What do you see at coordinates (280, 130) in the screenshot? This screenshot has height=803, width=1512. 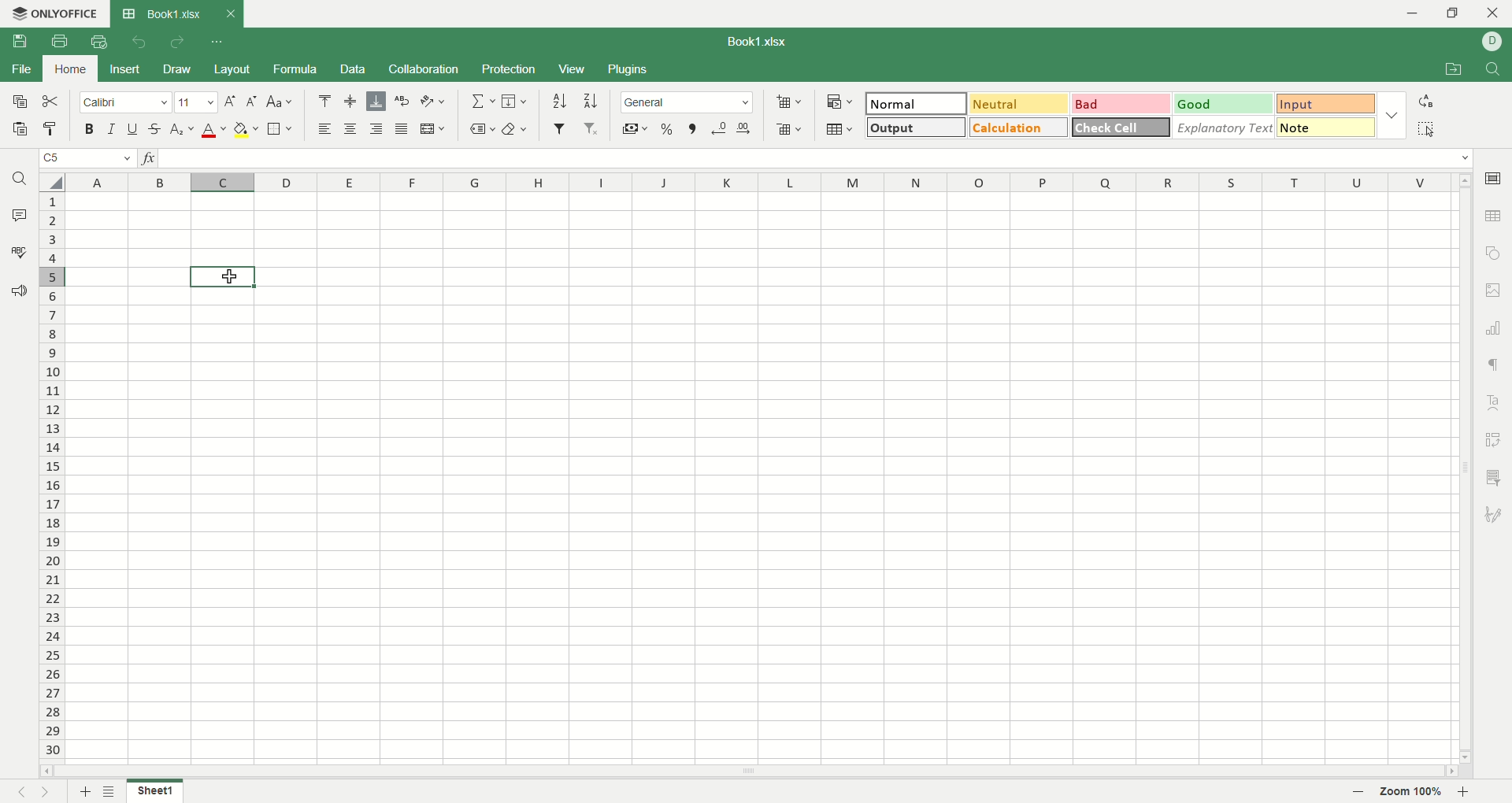 I see `border` at bounding box center [280, 130].